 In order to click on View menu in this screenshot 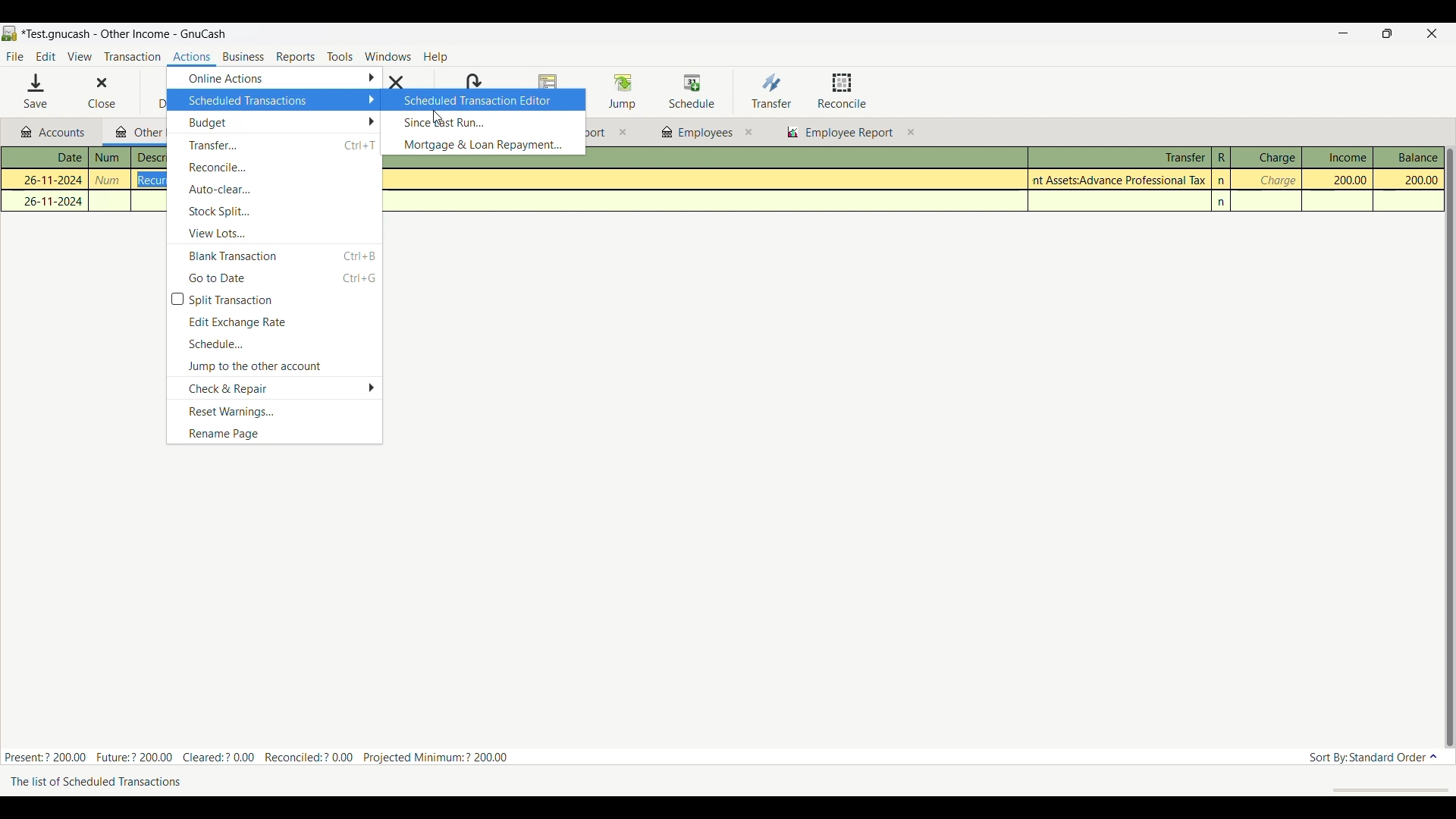, I will do `click(79, 57)`.